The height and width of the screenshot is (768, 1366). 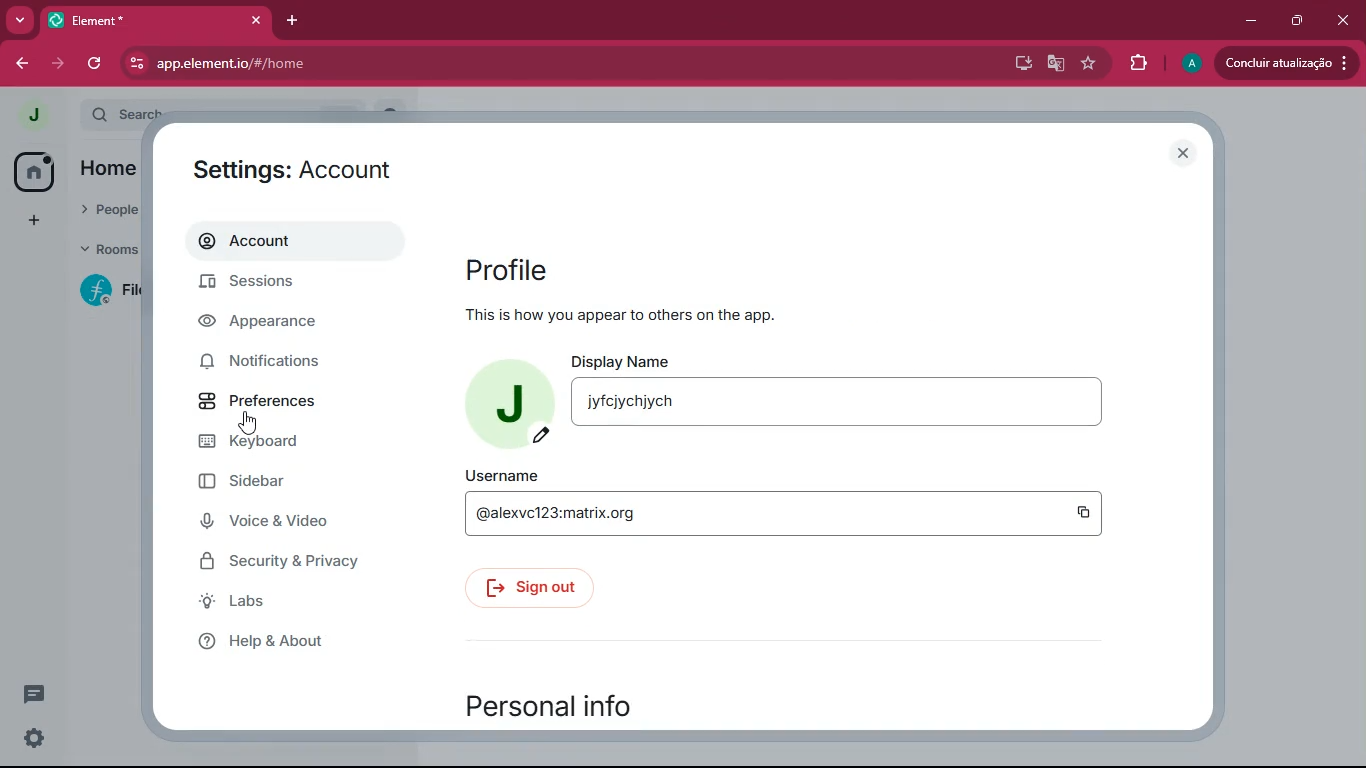 I want to click on add tab, so click(x=291, y=20).